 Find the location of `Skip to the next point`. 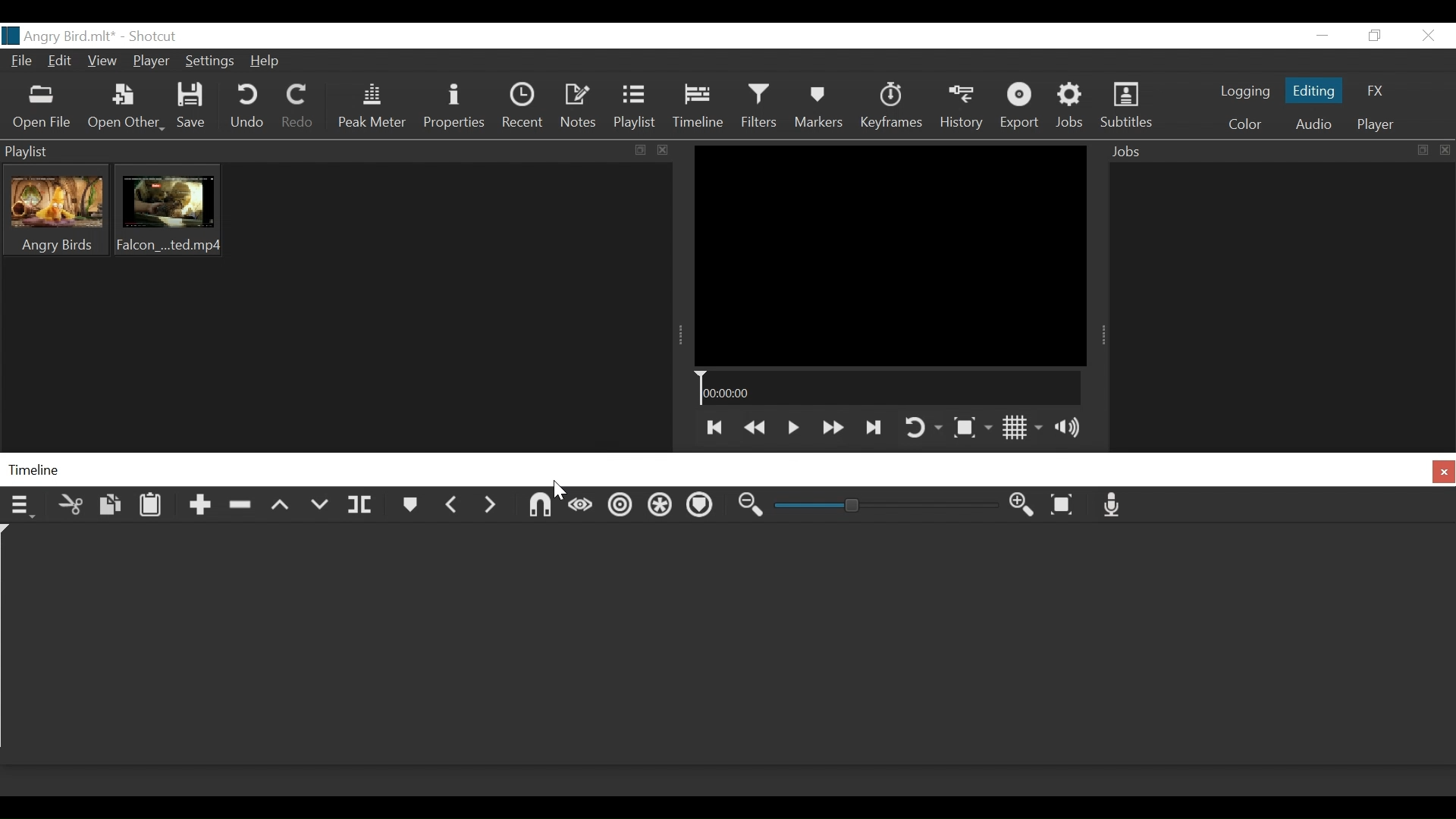

Skip to the next point is located at coordinates (874, 426).